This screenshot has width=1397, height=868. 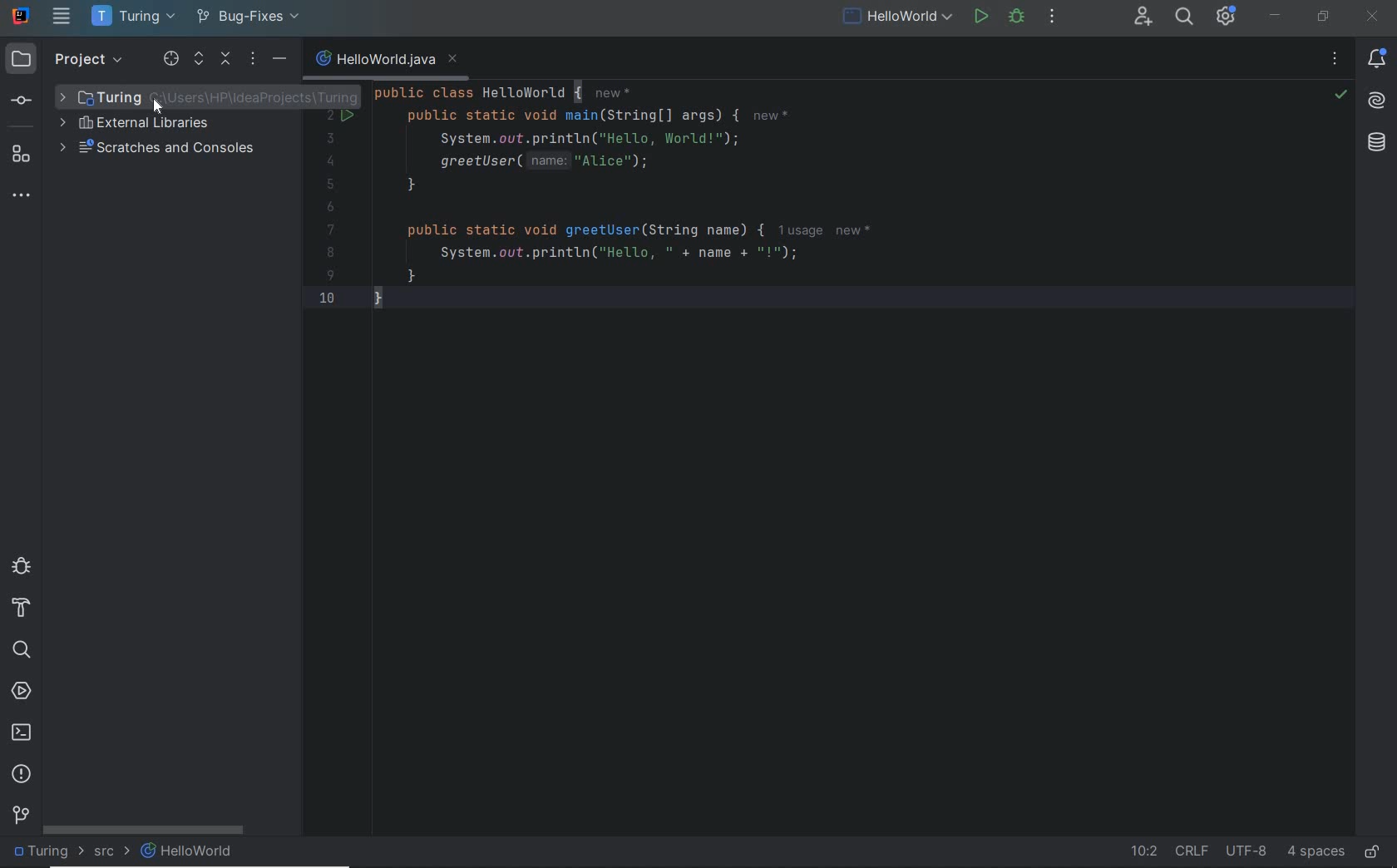 What do you see at coordinates (1053, 18) in the screenshot?
I see `more actions` at bounding box center [1053, 18].